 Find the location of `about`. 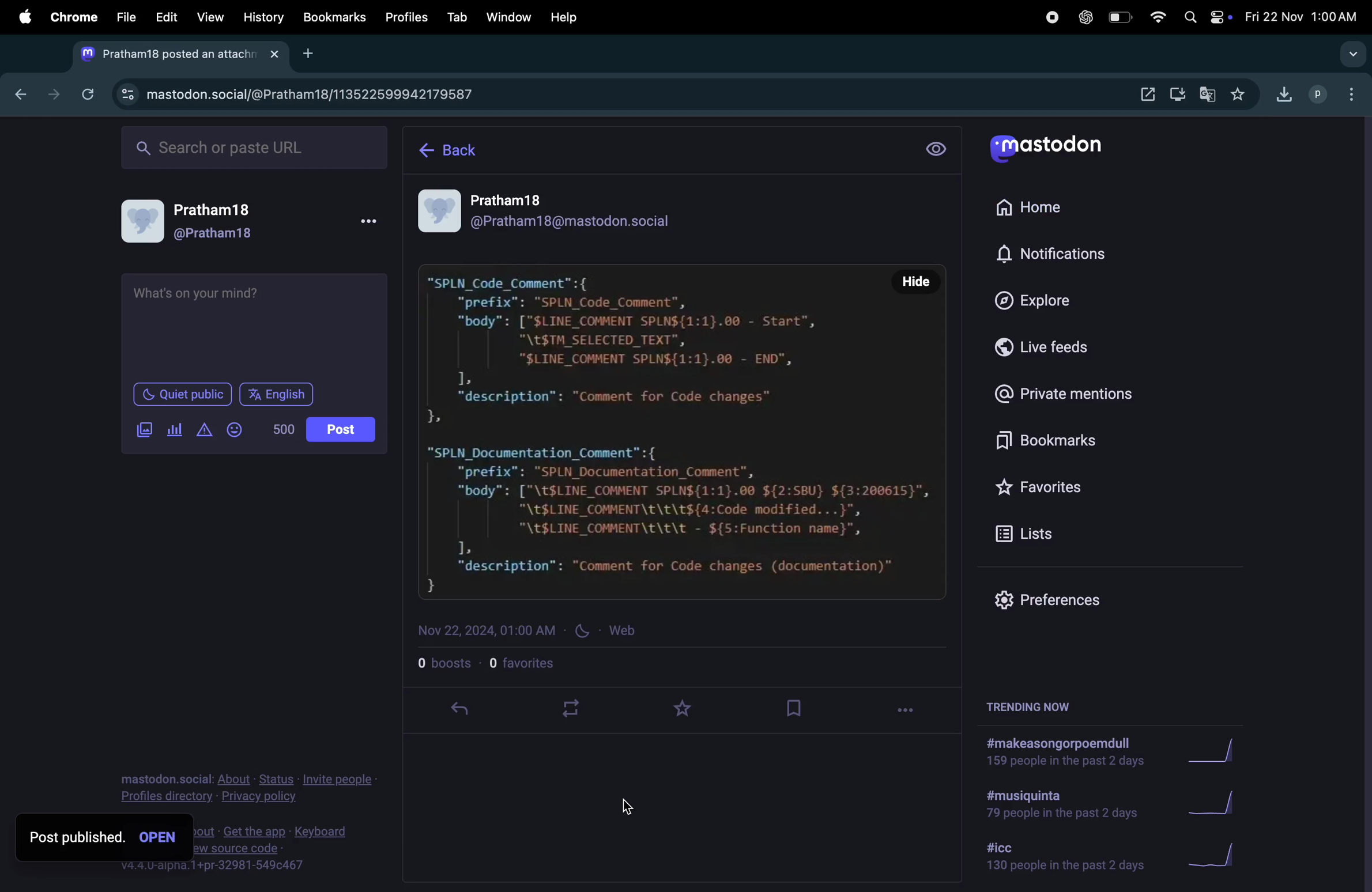

about is located at coordinates (203, 831).